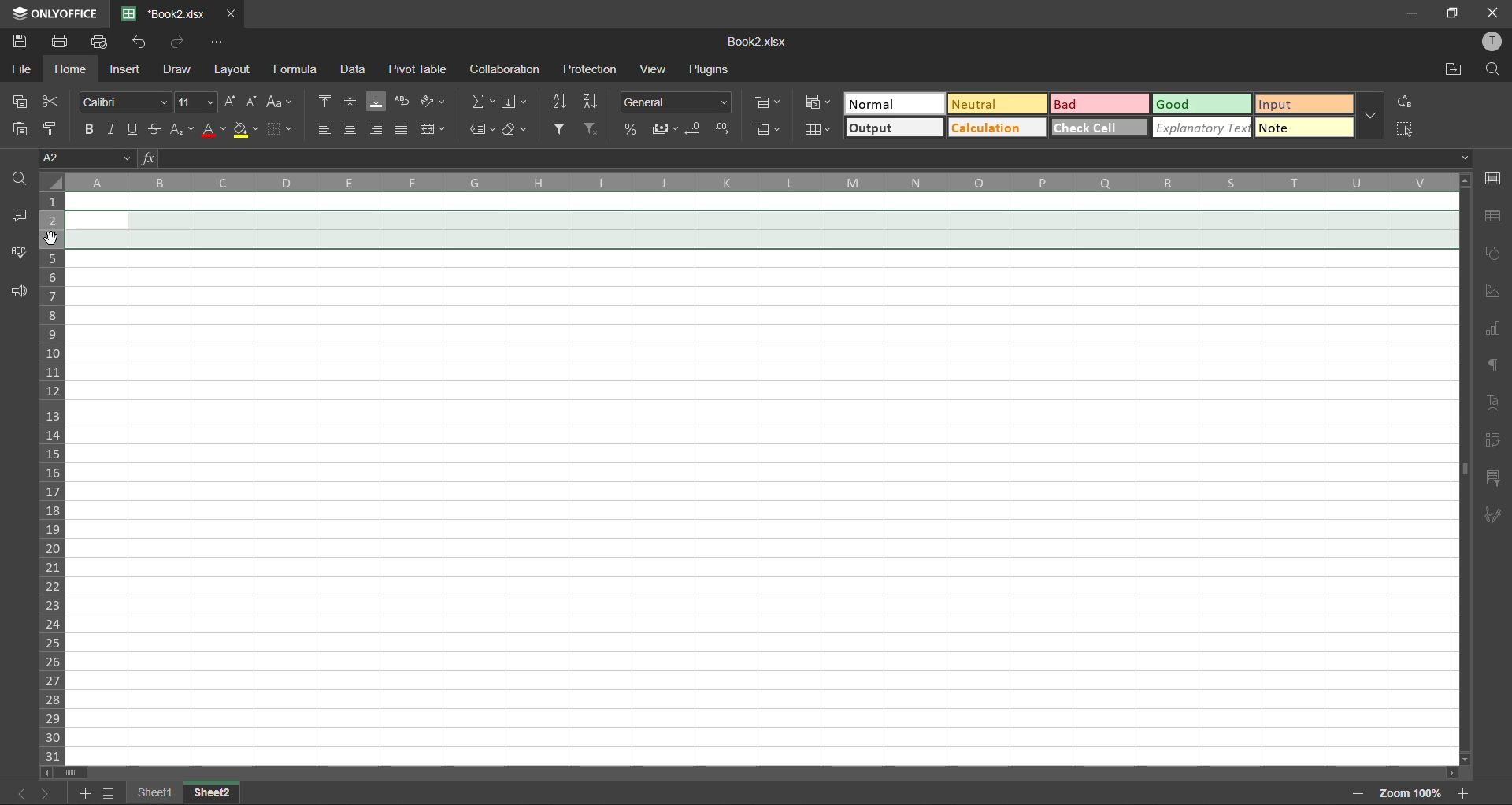  Describe the element at coordinates (819, 101) in the screenshot. I see `conditional formatting` at that location.